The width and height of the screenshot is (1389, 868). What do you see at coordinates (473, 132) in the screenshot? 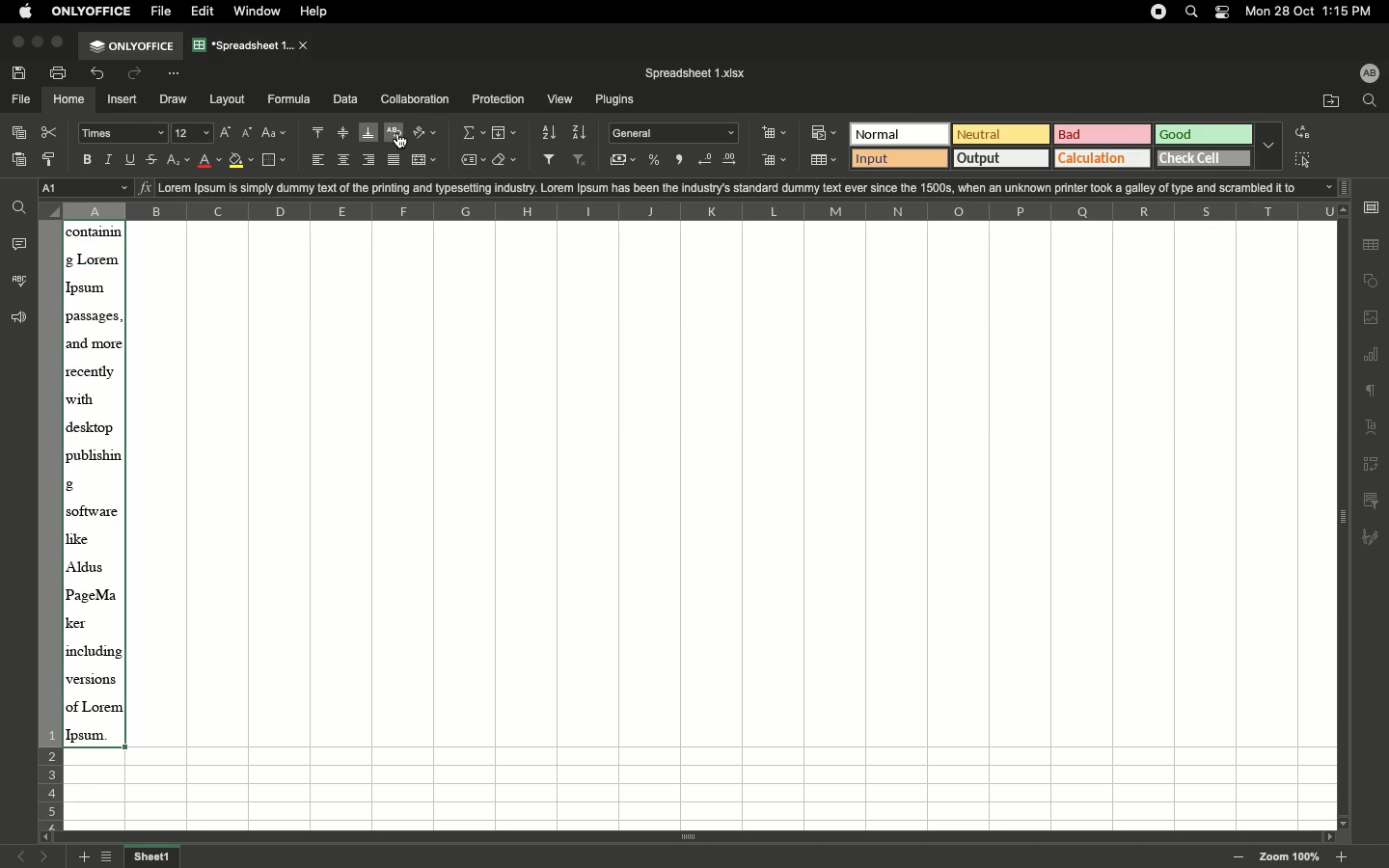
I see `Summation` at bounding box center [473, 132].